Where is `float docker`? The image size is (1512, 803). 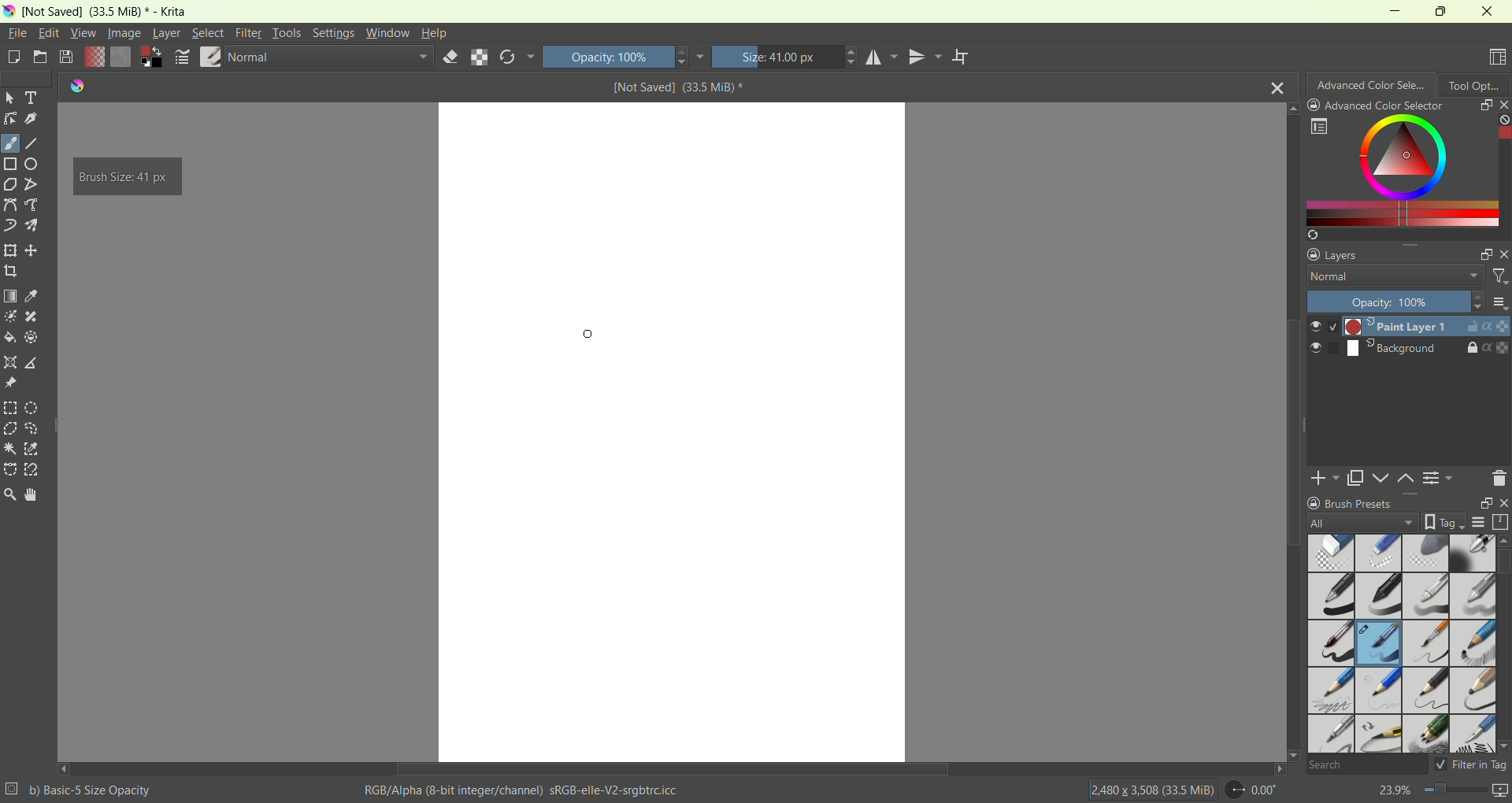 float docker is located at coordinates (1481, 503).